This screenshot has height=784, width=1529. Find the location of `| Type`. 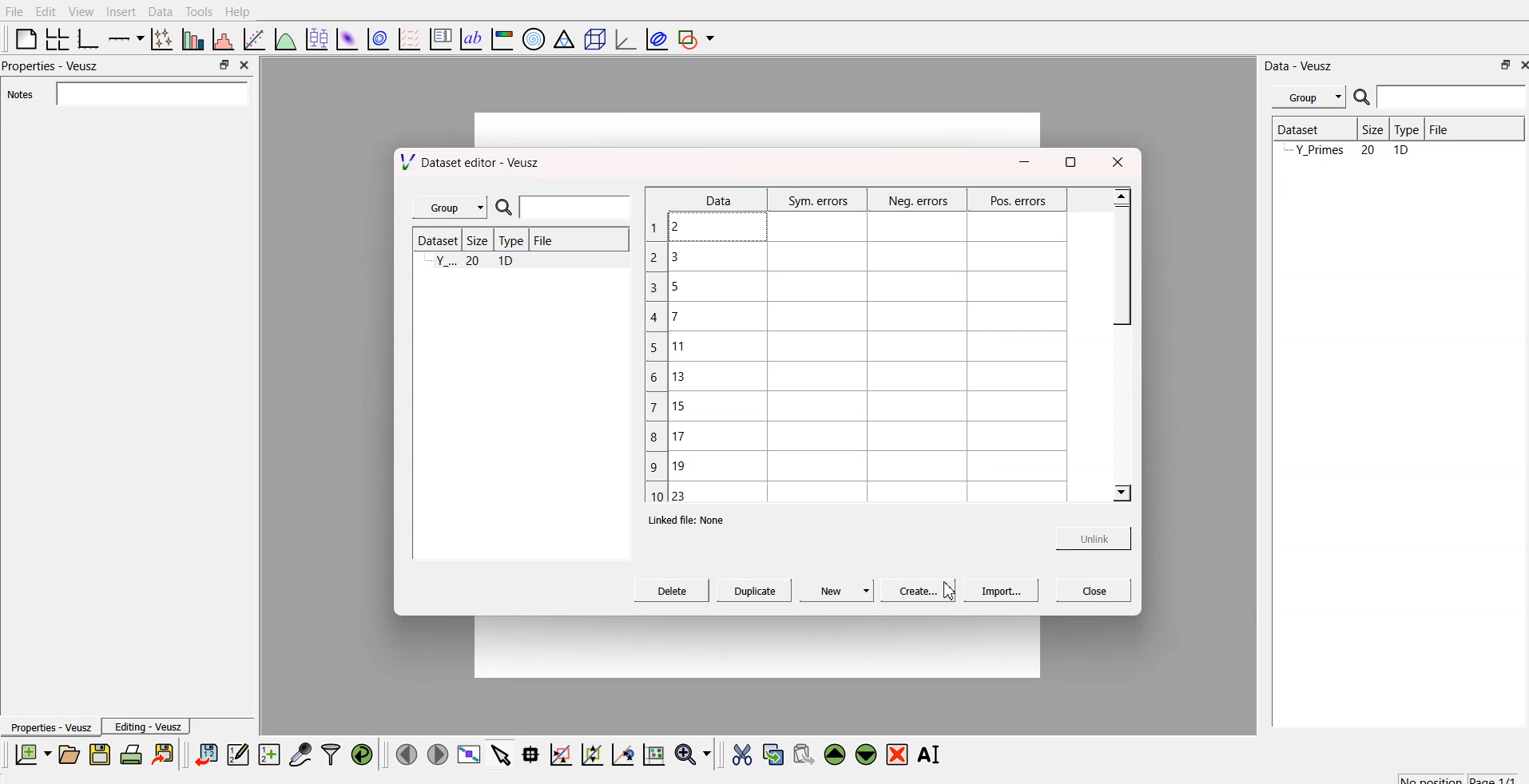

| Type is located at coordinates (508, 241).